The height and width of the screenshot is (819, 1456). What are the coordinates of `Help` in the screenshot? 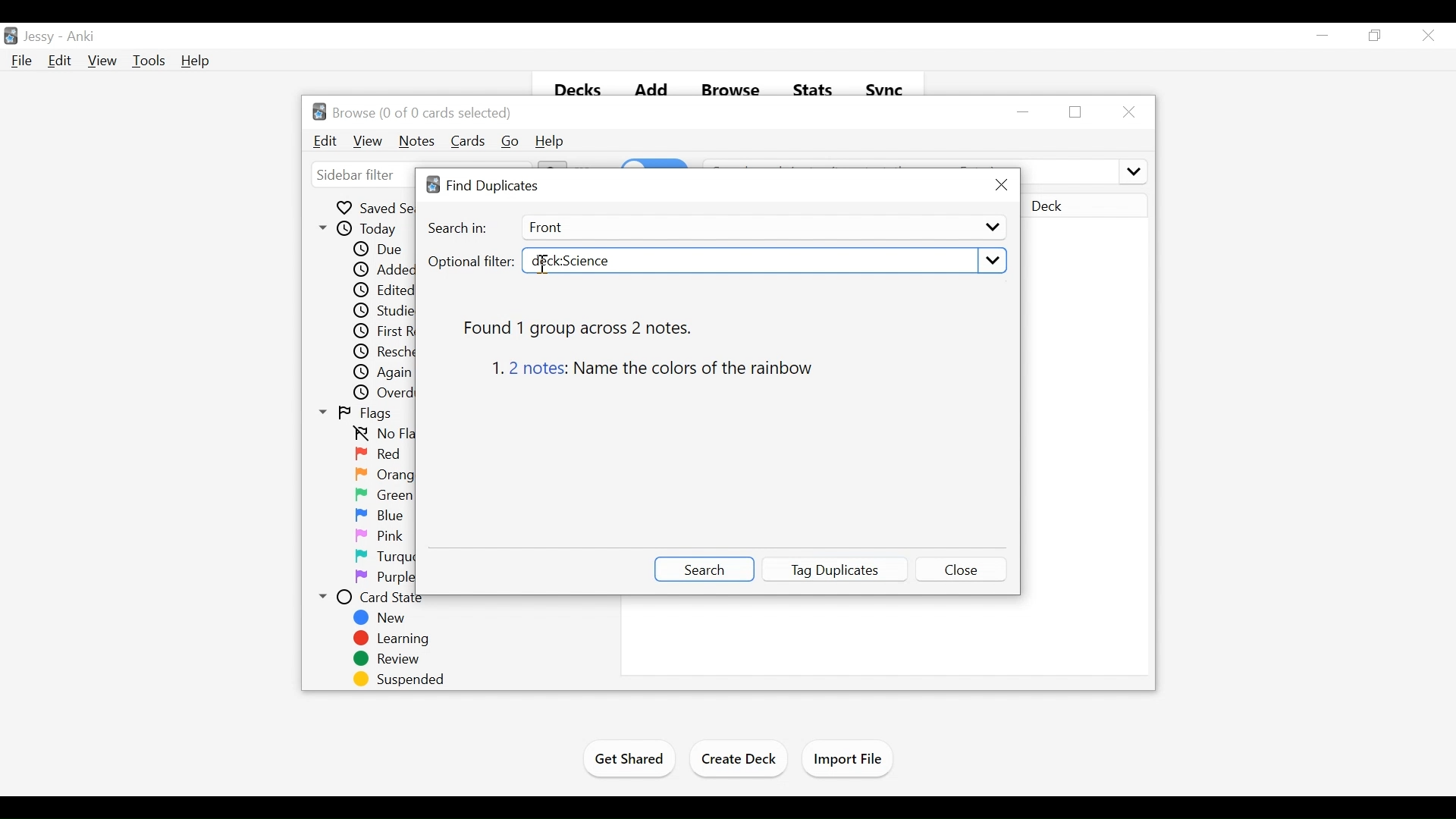 It's located at (196, 61).